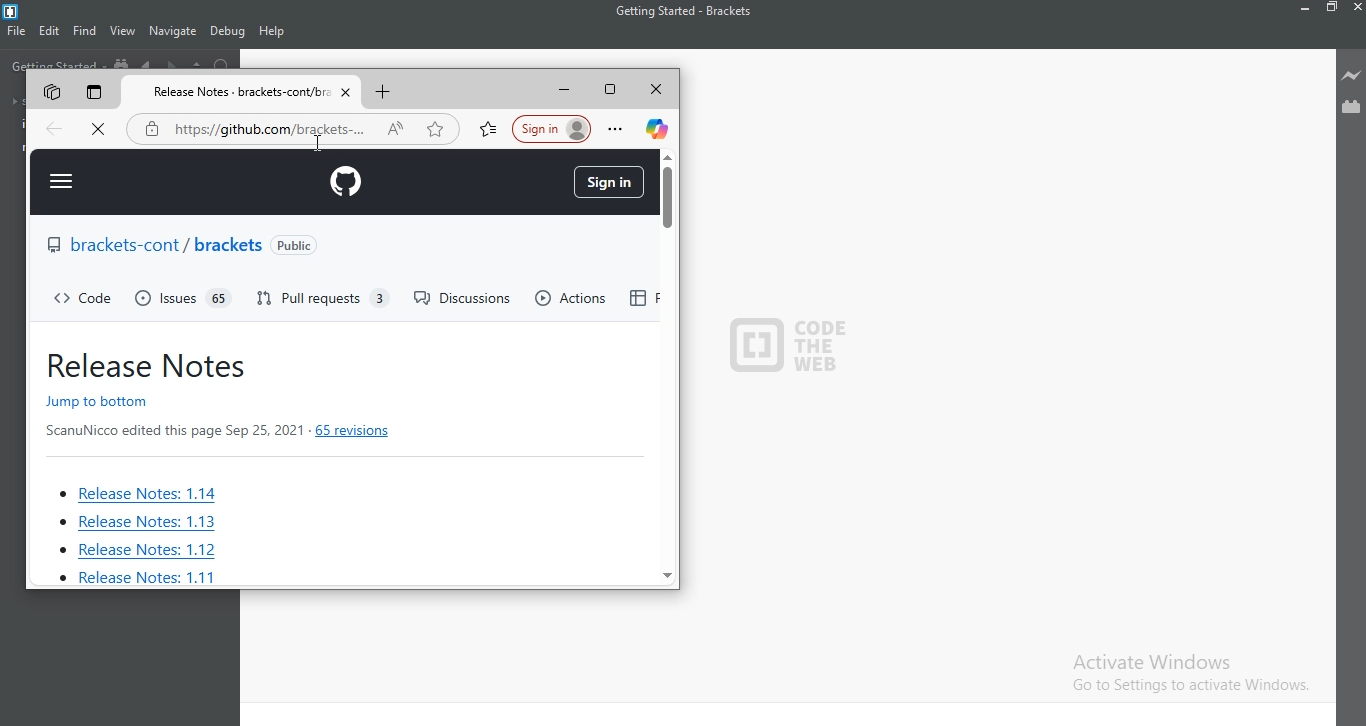 The height and width of the screenshot is (726, 1366). Describe the element at coordinates (657, 128) in the screenshot. I see `copilot` at that location.